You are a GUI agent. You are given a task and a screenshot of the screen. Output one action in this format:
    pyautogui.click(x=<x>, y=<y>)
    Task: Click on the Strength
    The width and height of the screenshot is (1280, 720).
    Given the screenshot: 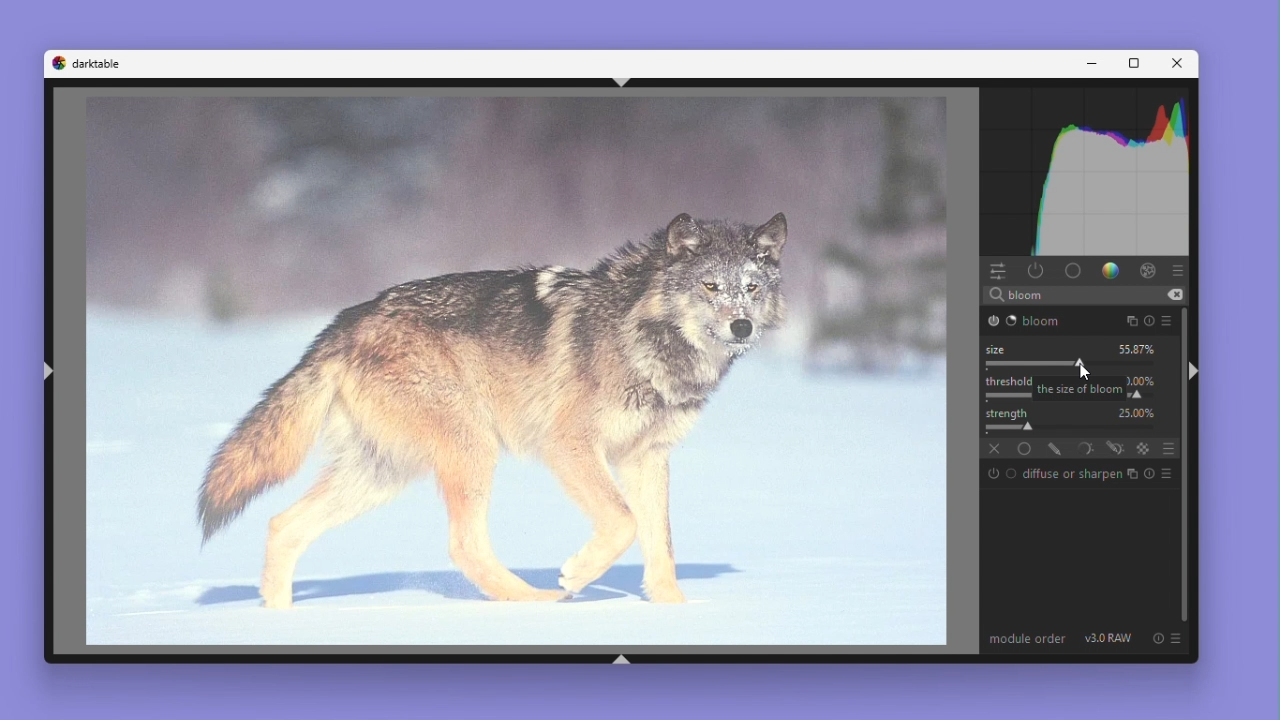 What is the action you would take?
    pyautogui.click(x=1009, y=412)
    